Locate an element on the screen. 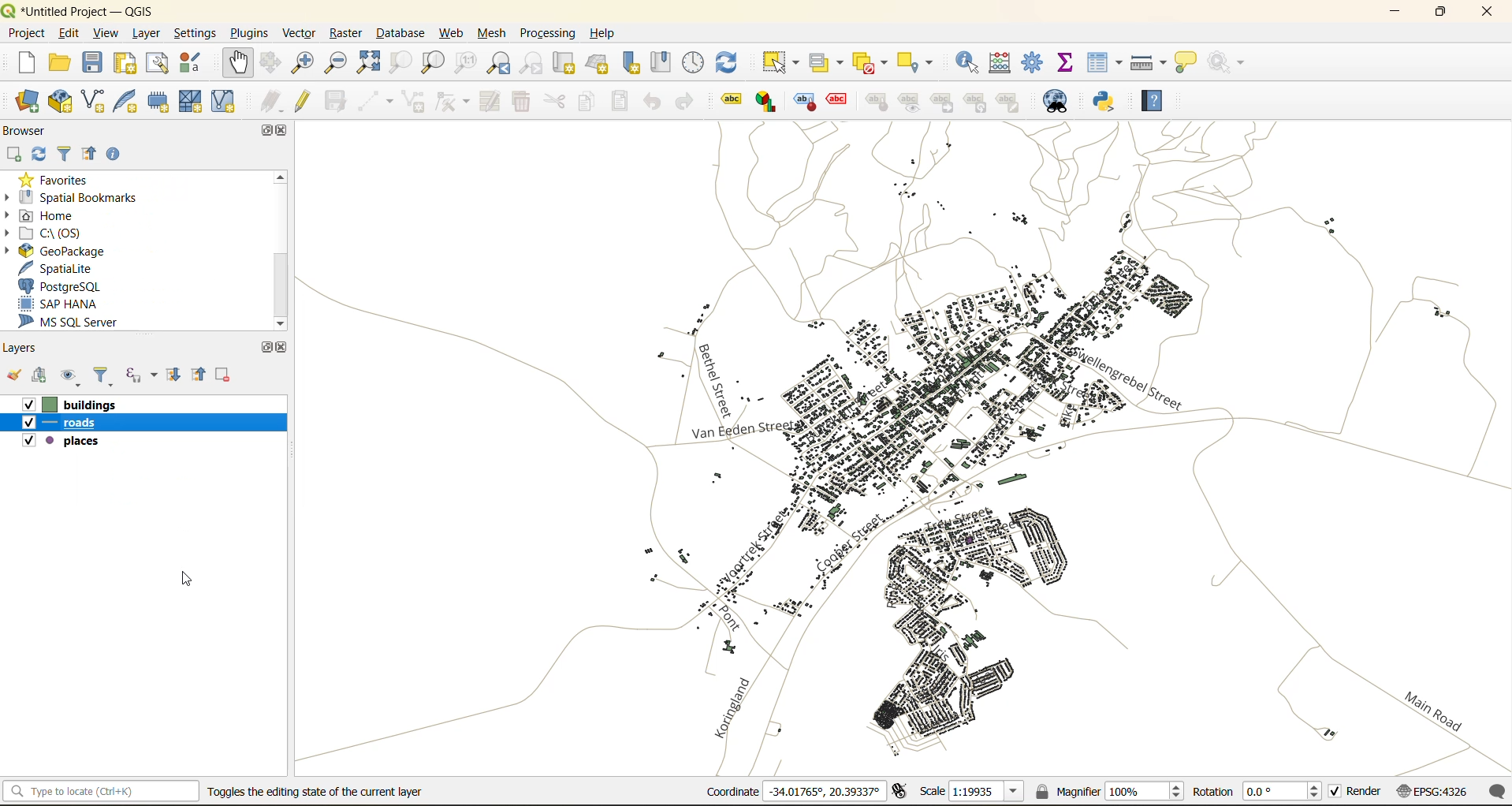 This screenshot has width=1512, height=806. edit is located at coordinates (68, 32).